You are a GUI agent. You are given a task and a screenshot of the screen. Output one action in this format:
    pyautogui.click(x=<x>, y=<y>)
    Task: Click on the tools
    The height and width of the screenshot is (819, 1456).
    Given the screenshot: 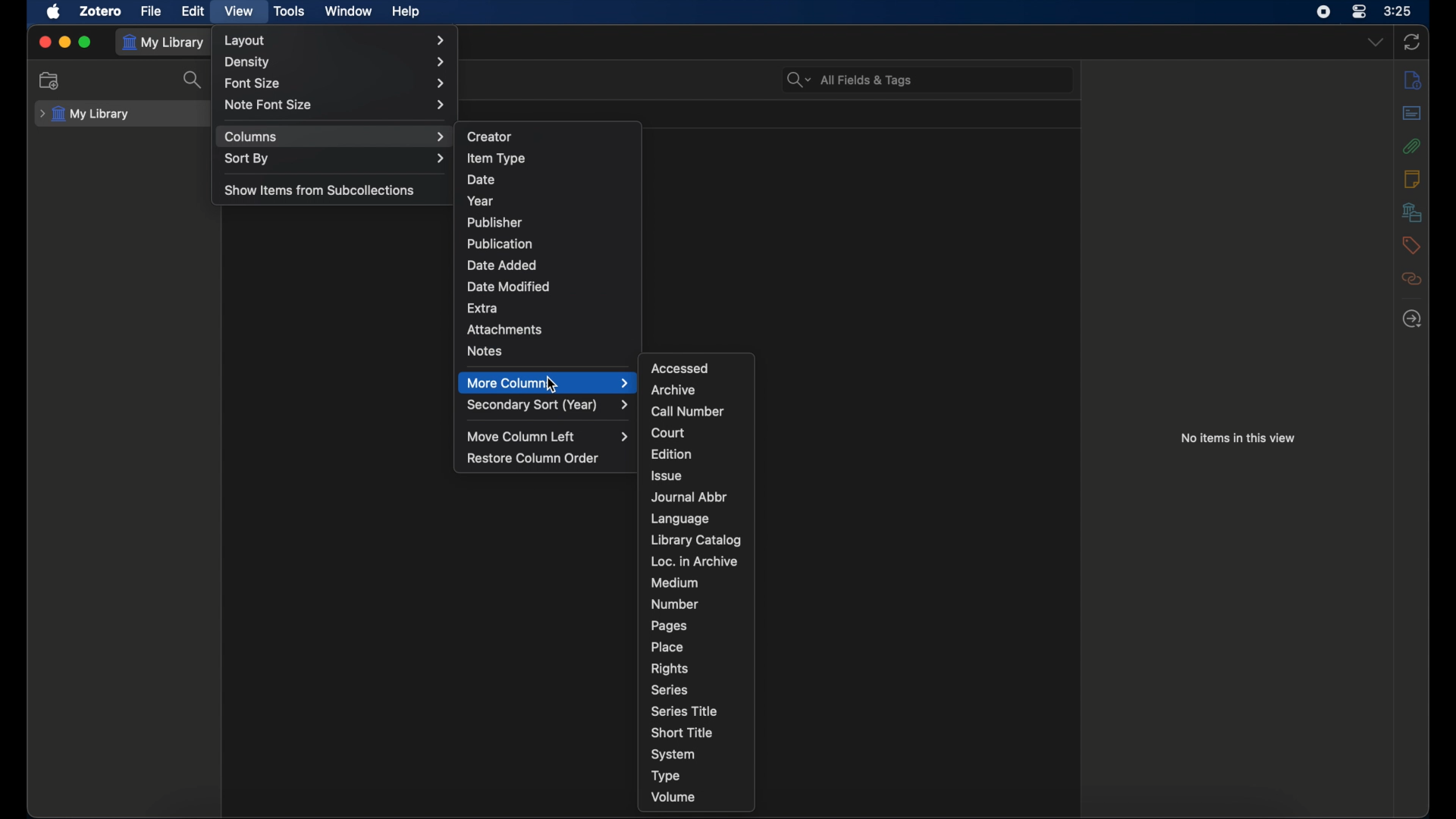 What is the action you would take?
    pyautogui.click(x=290, y=11)
    